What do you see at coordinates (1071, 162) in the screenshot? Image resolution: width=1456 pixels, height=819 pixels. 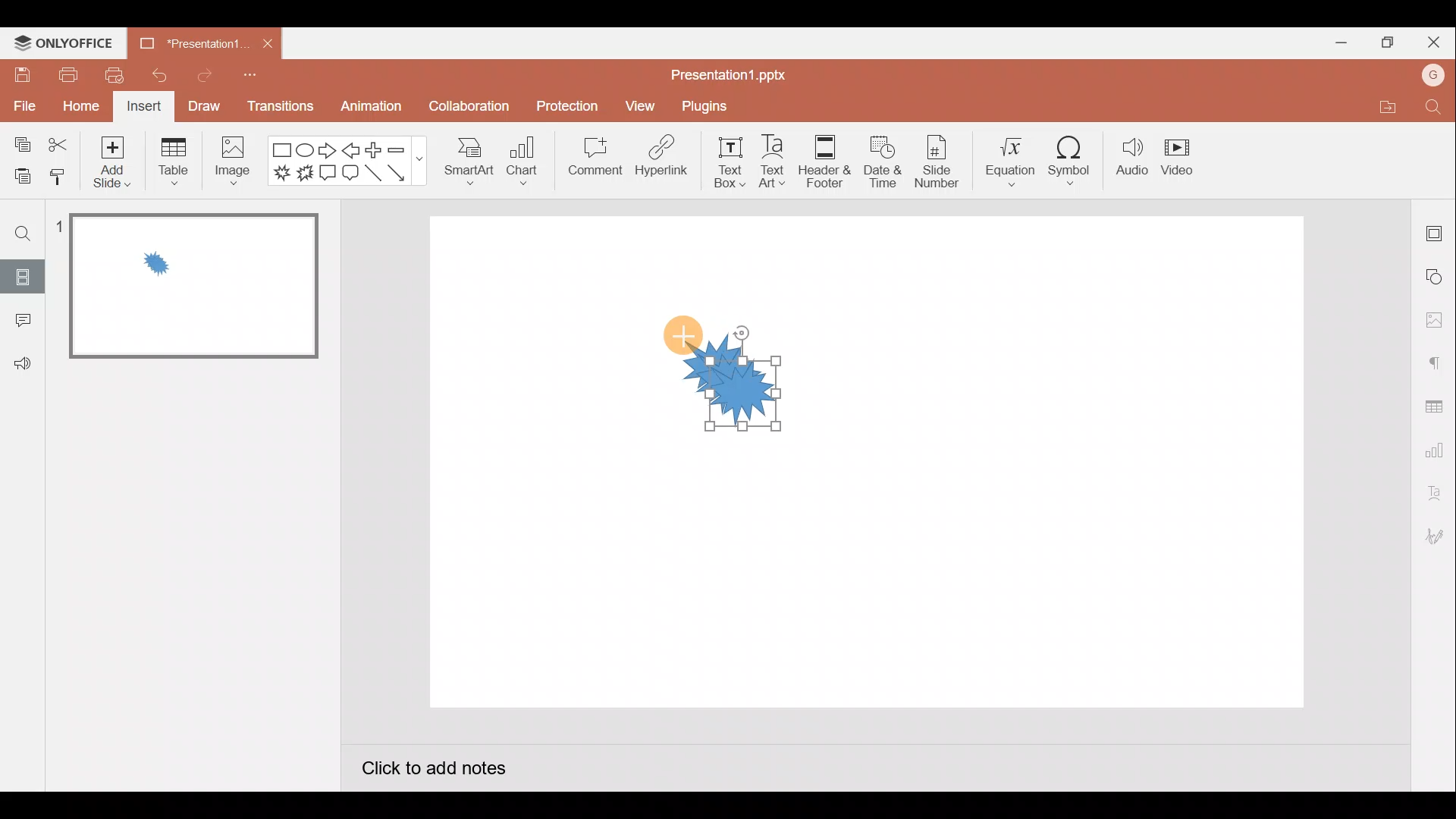 I see `Symbol` at bounding box center [1071, 162].